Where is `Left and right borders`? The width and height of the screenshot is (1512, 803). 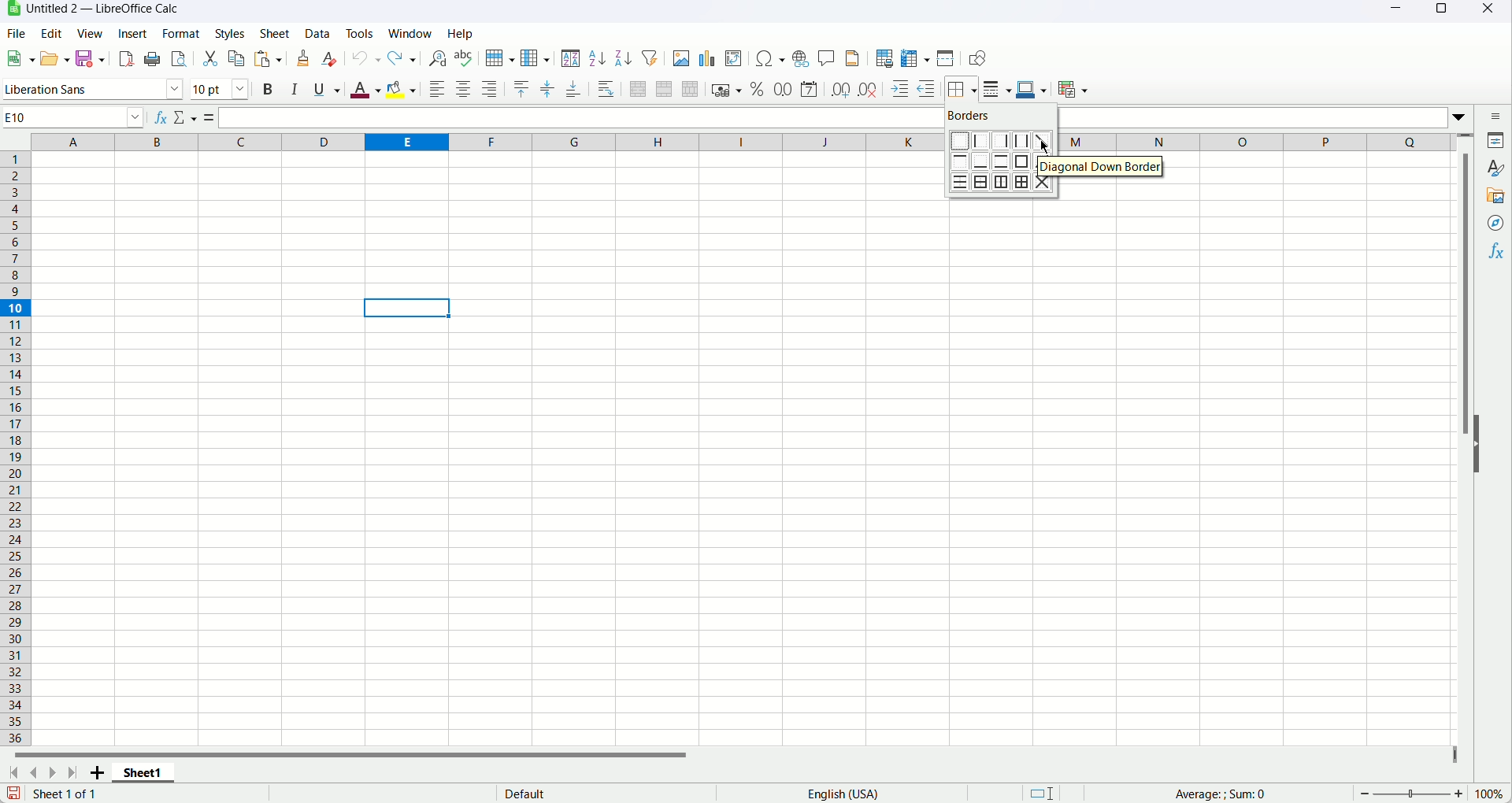
Left and right borders is located at coordinates (1022, 140).